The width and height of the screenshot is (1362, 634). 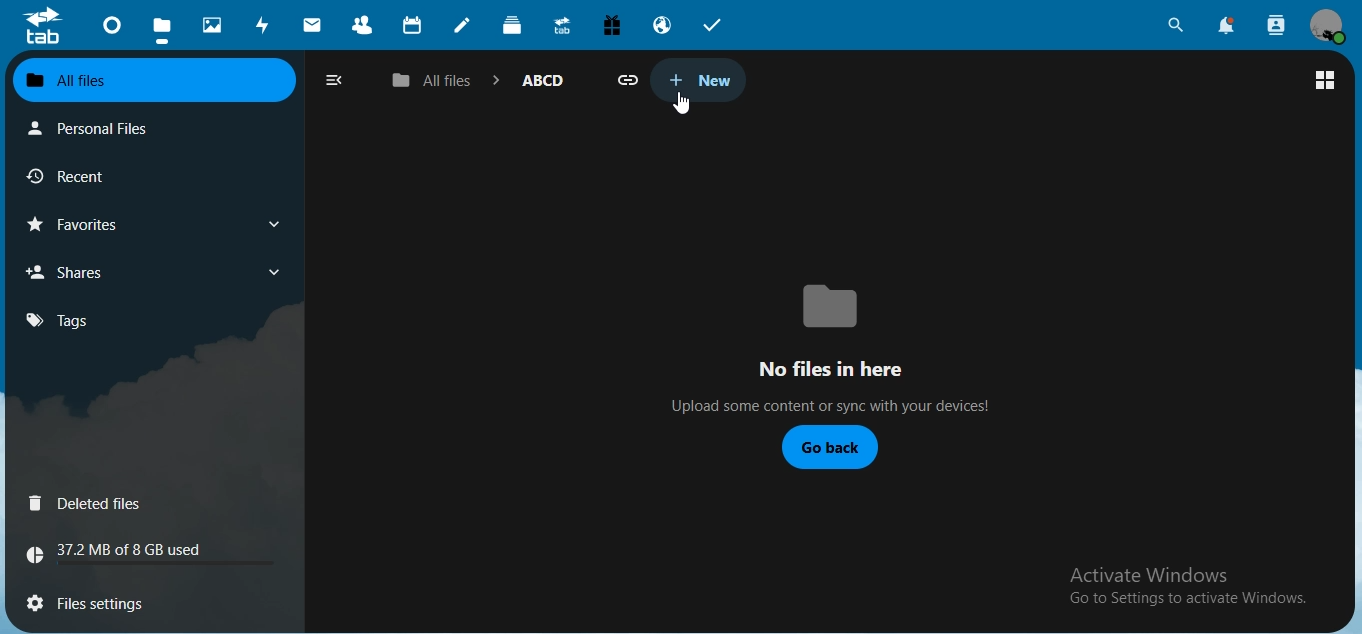 What do you see at coordinates (58, 321) in the screenshot?
I see `tags` at bounding box center [58, 321].